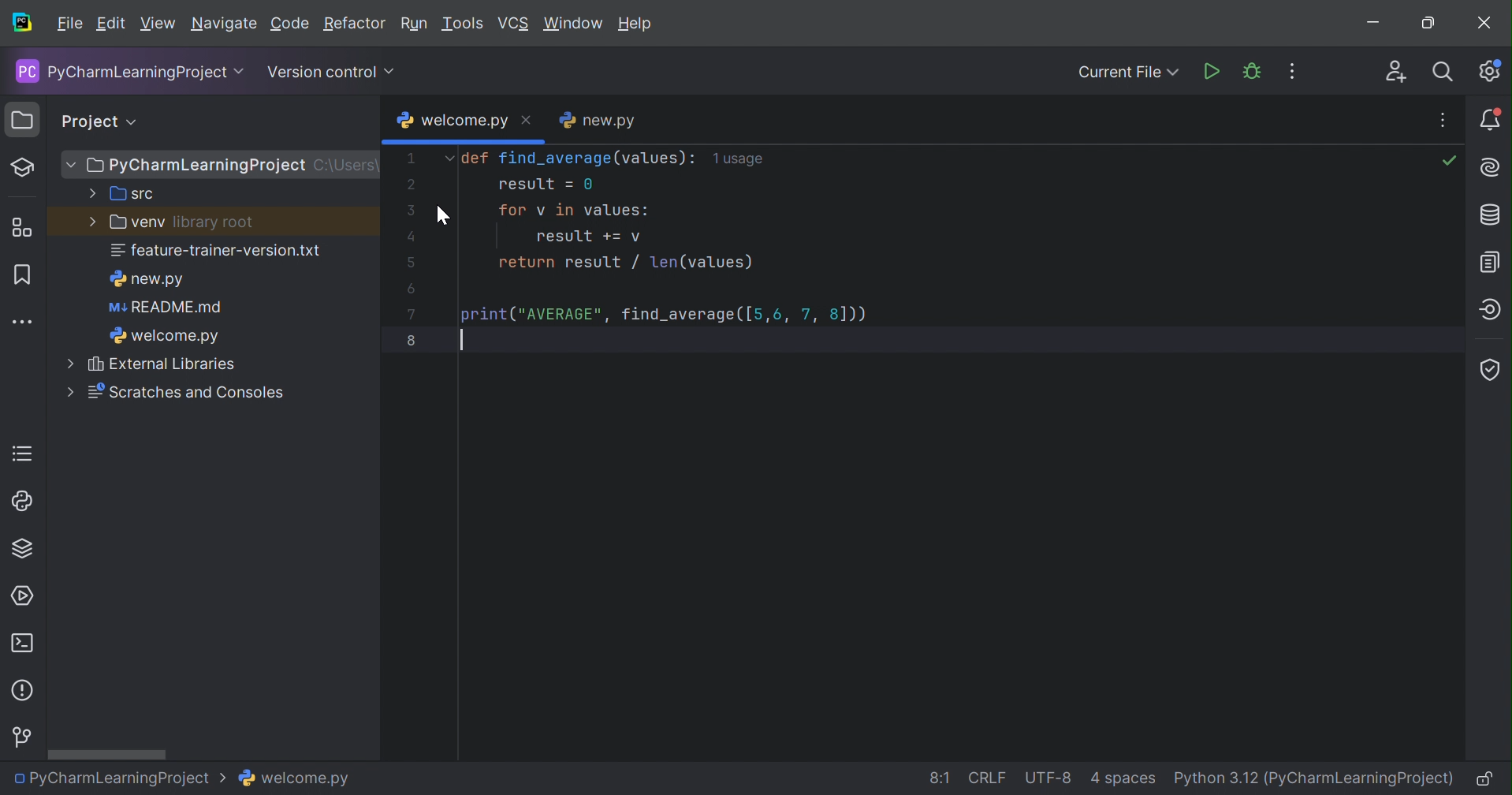  I want to click on 6, so click(411, 289).